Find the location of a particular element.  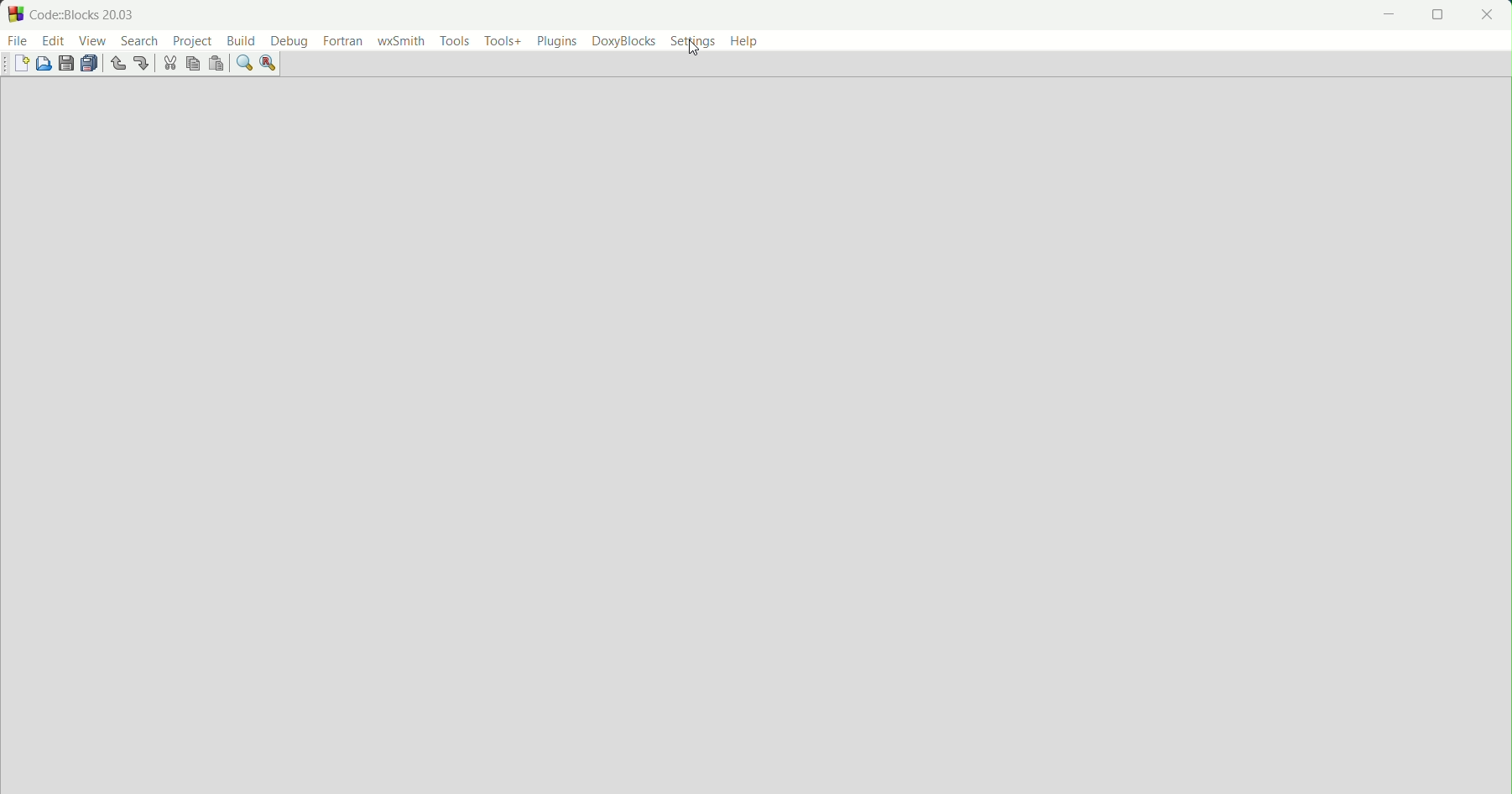

plugins is located at coordinates (553, 40).